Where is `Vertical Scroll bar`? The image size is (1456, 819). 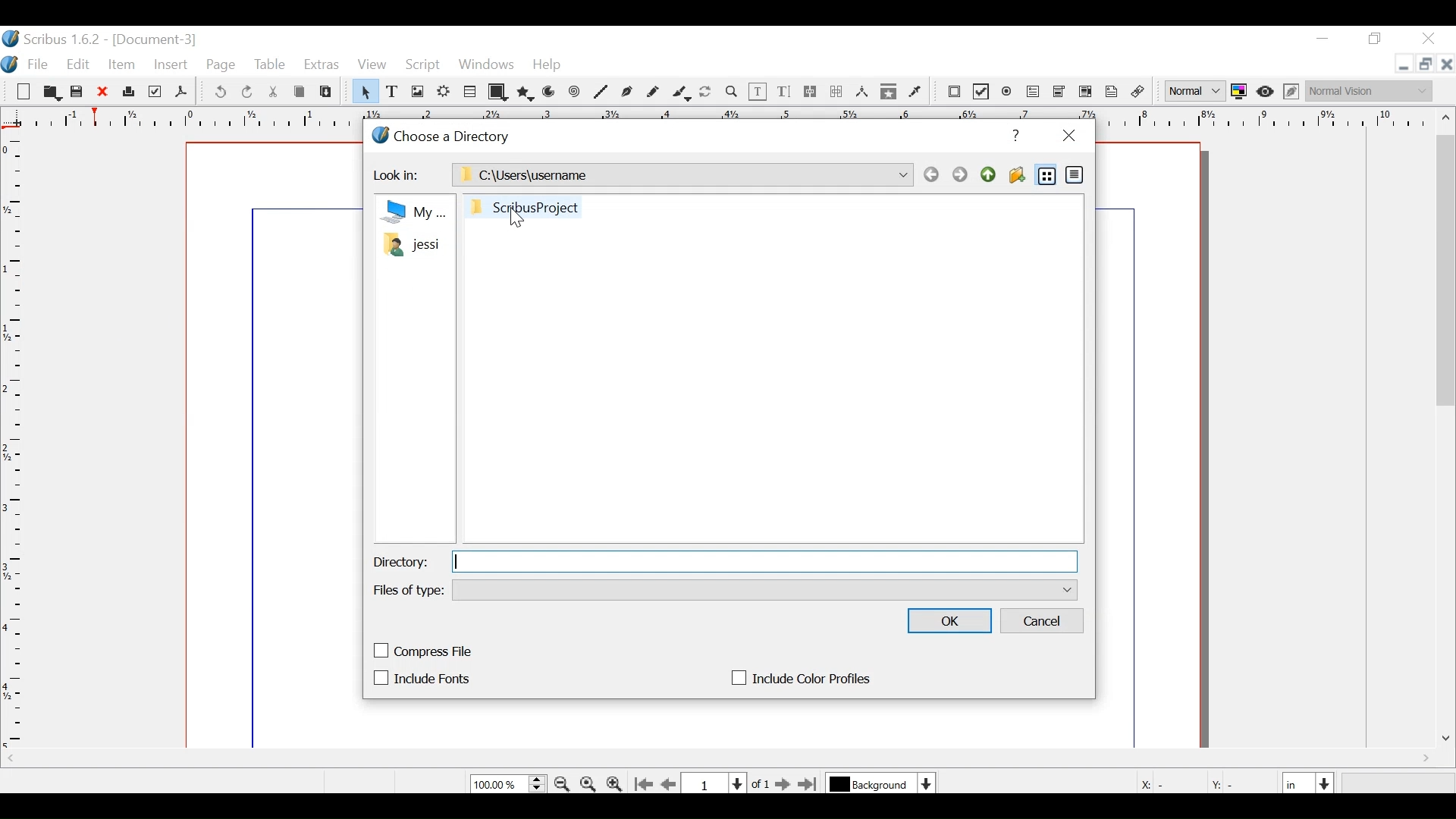 Vertical Scroll bar is located at coordinates (1447, 269).